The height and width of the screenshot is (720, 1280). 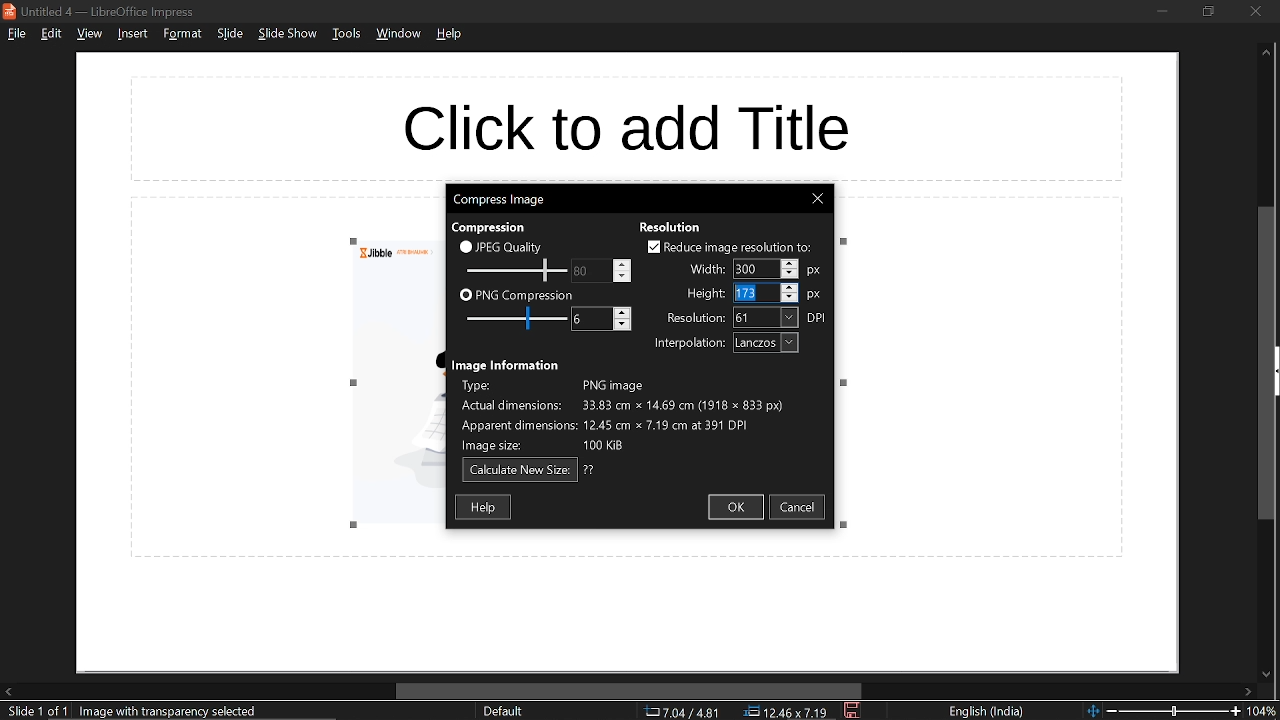 I want to click on move up, so click(x=1266, y=56).